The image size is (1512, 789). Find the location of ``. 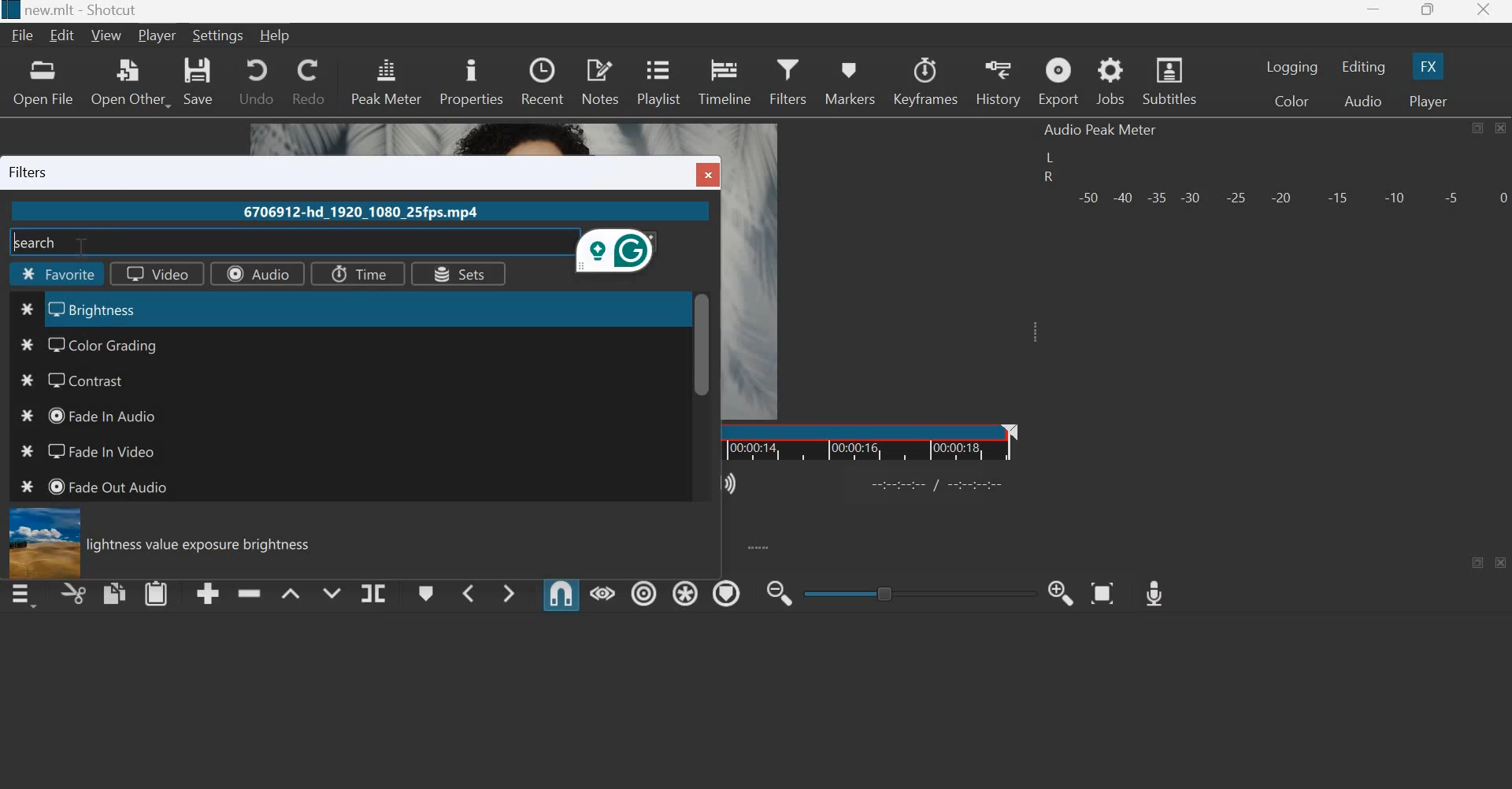

 is located at coordinates (702, 344).